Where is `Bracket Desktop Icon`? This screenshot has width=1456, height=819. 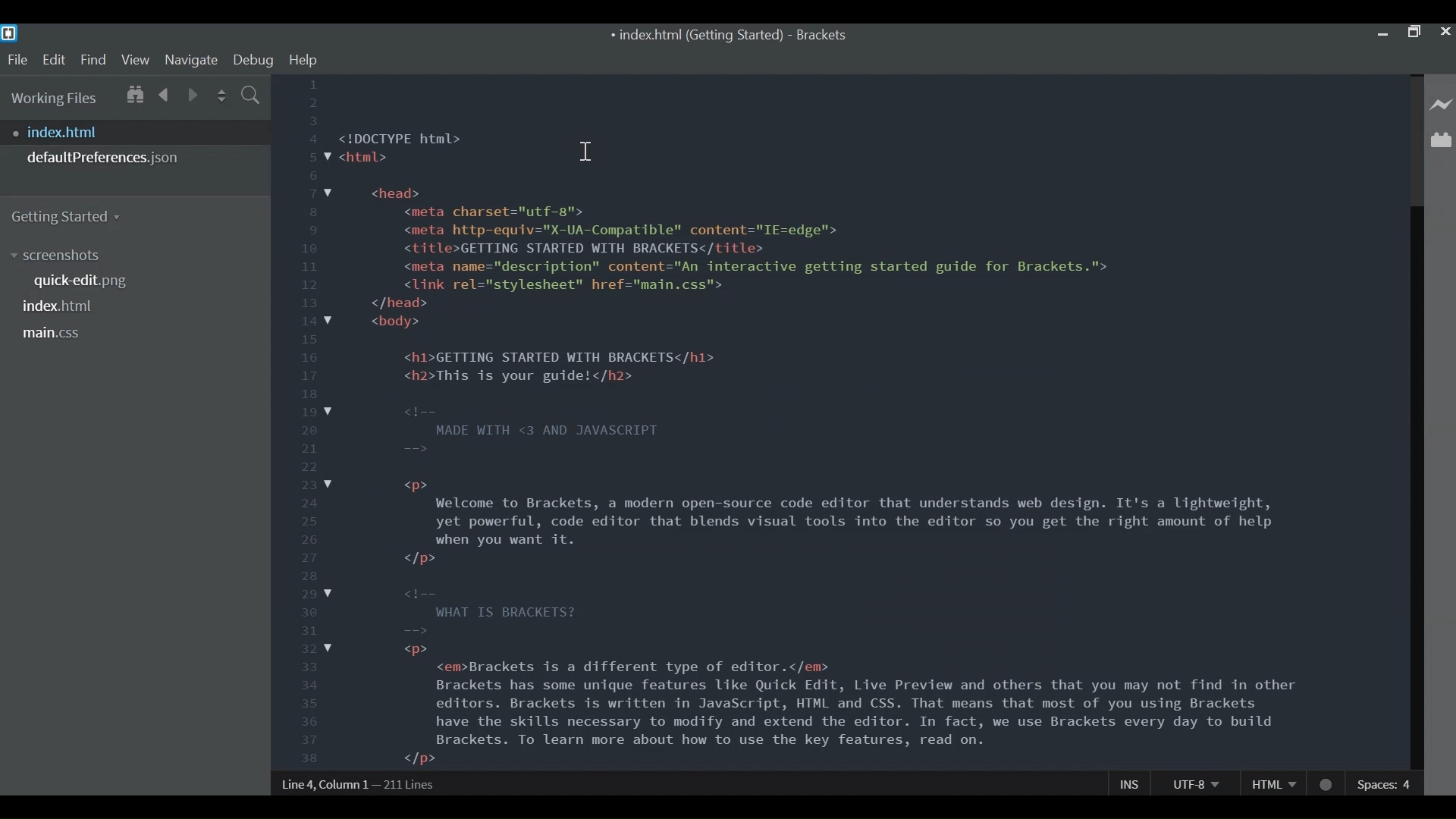
Bracket Desktop Icon is located at coordinates (9, 33).